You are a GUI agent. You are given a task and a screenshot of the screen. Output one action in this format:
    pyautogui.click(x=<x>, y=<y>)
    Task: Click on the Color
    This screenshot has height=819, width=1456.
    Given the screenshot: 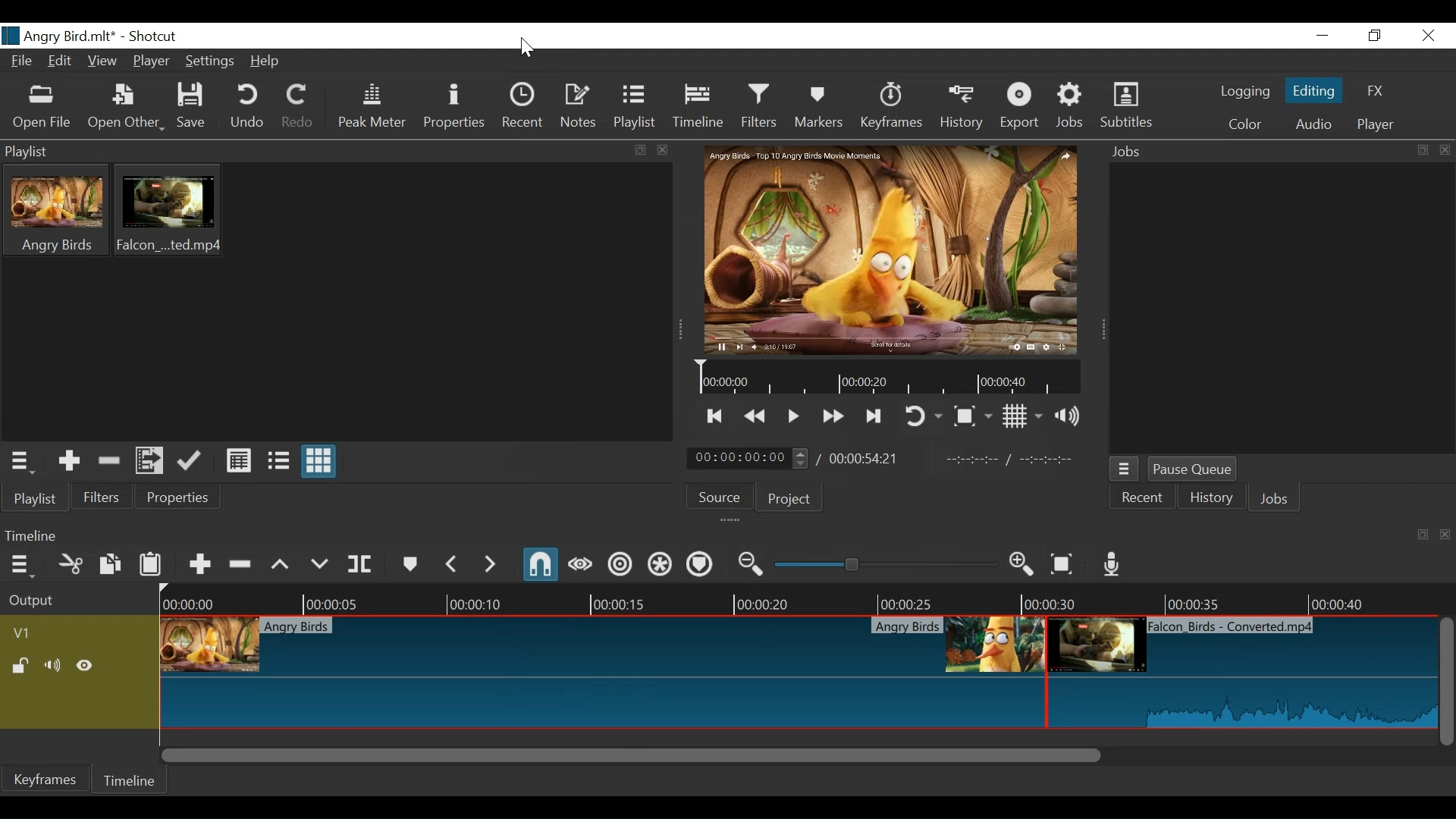 What is the action you would take?
    pyautogui.click(x=1246, y=124)
    